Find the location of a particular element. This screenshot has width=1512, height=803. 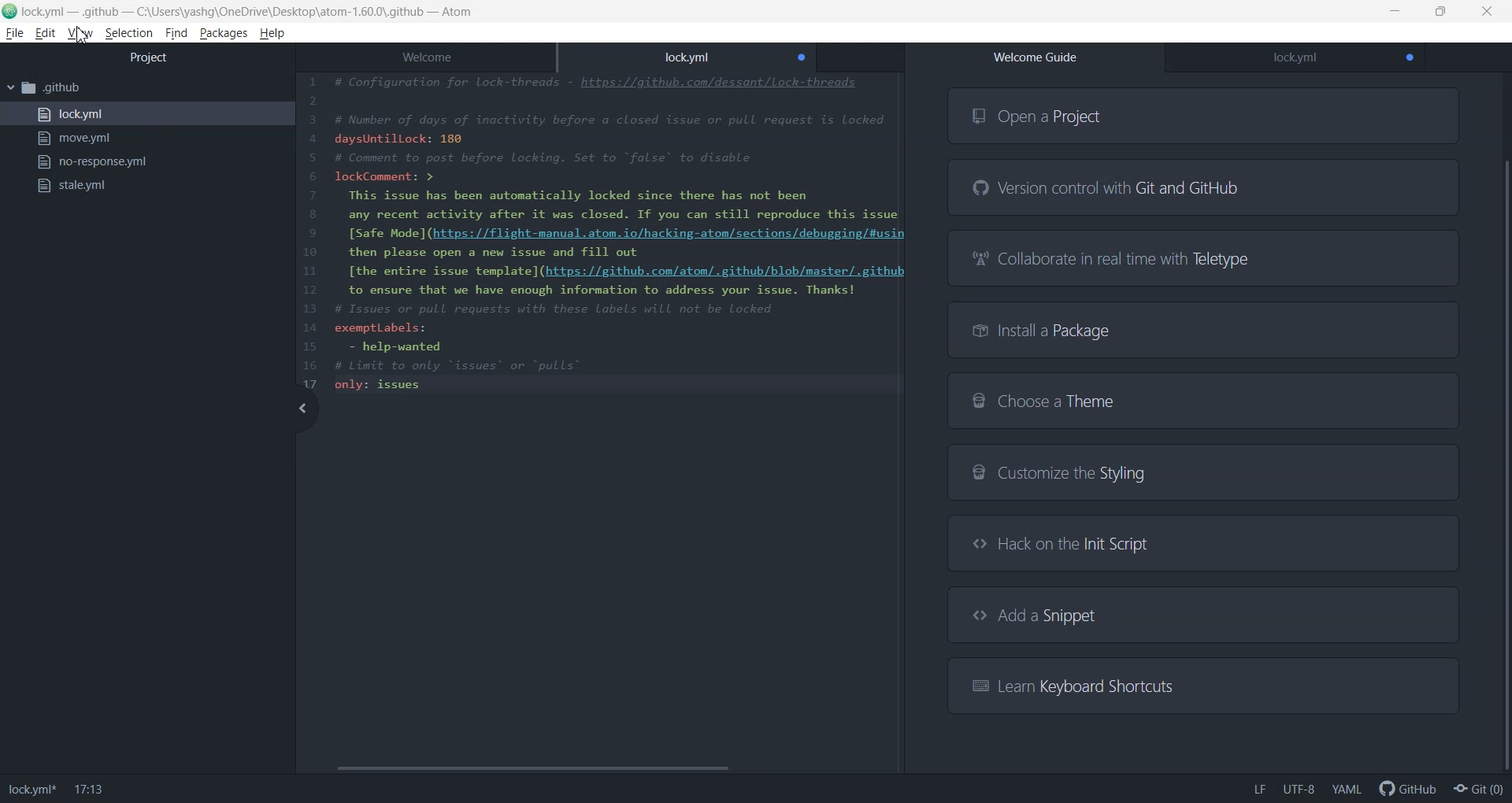

Maximize is located at coordinates (1441, 12).